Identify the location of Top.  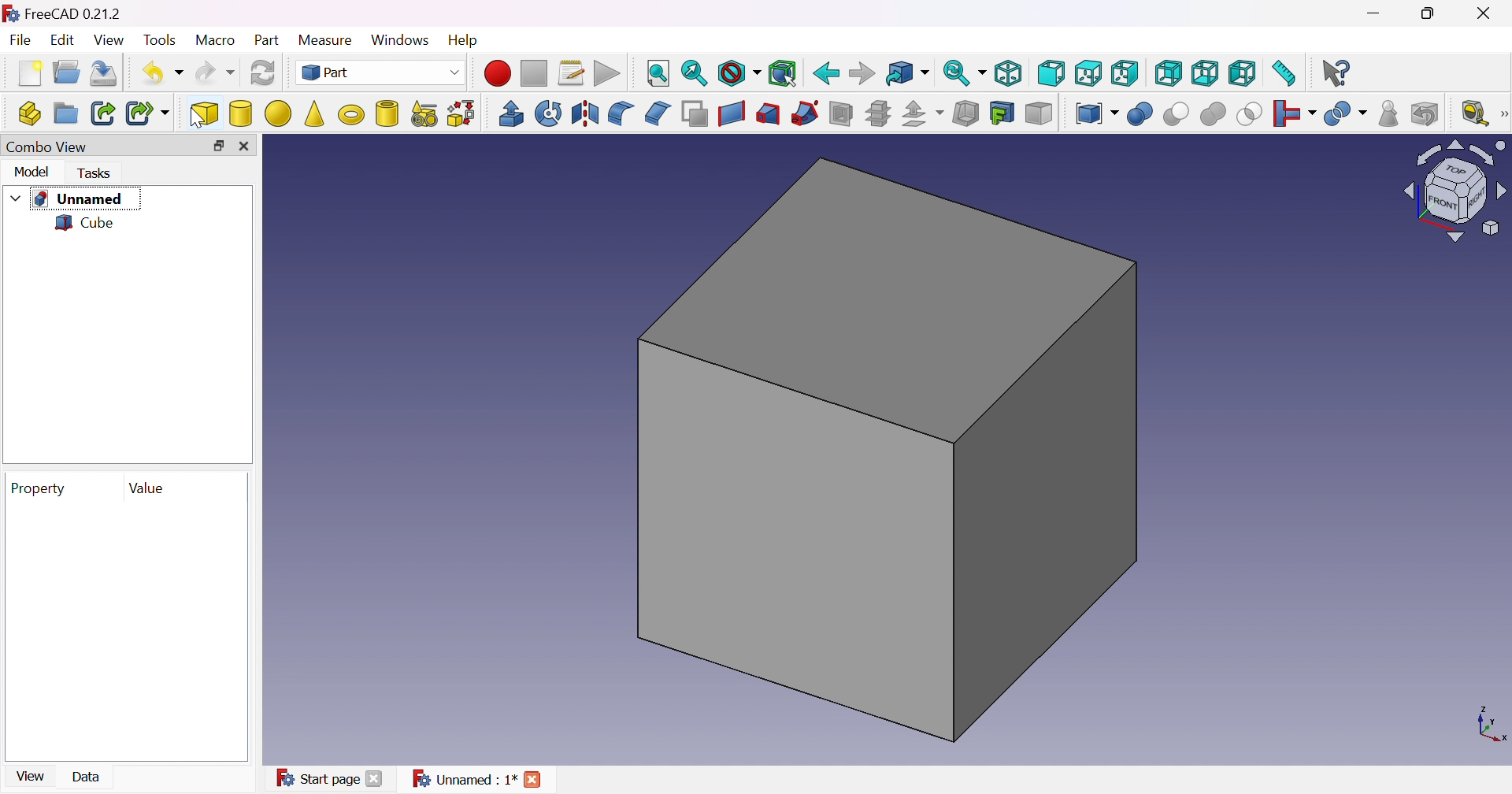
(1087, 74).